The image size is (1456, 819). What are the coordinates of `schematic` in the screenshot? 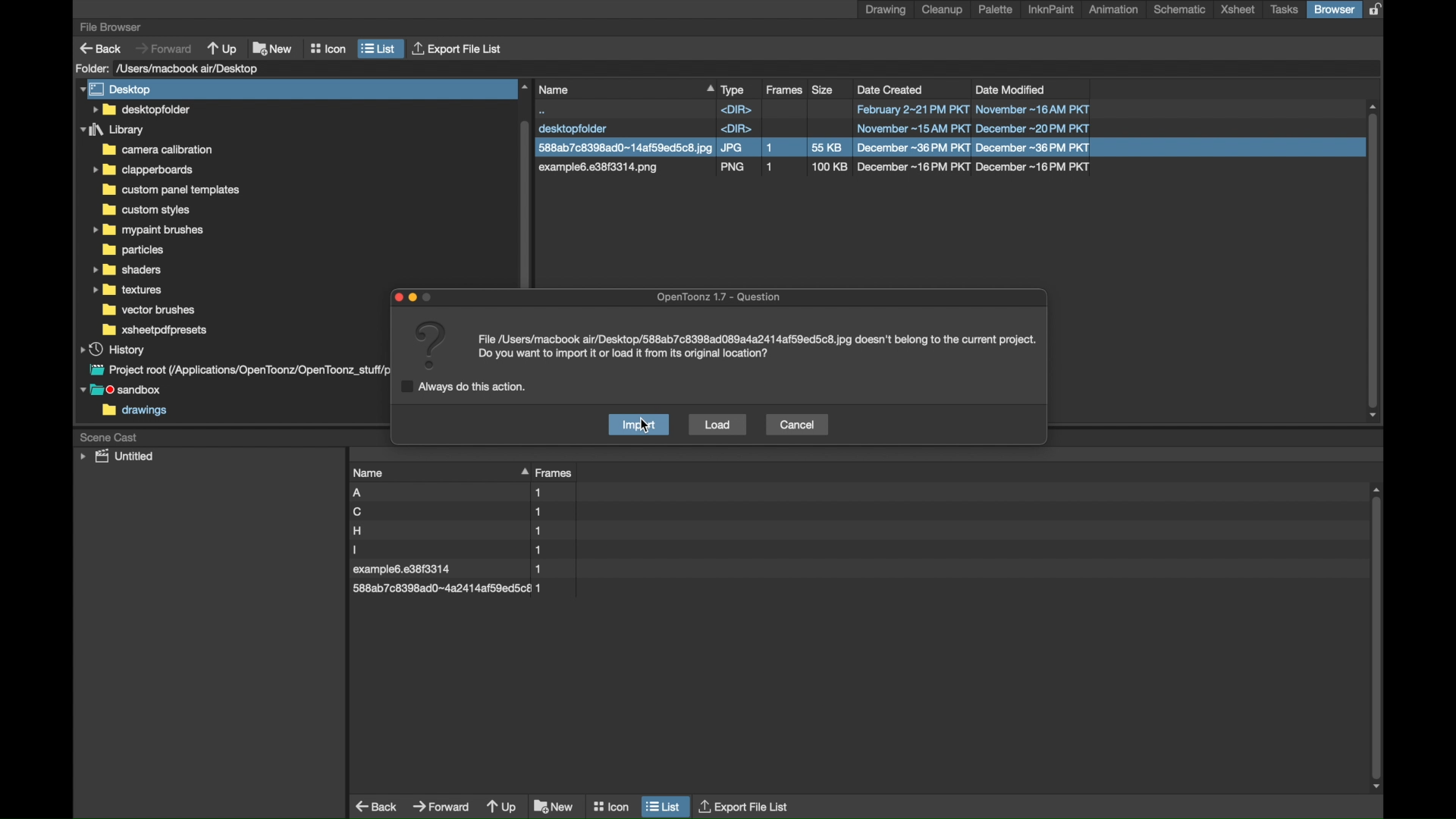 It's located at (1179, 9).